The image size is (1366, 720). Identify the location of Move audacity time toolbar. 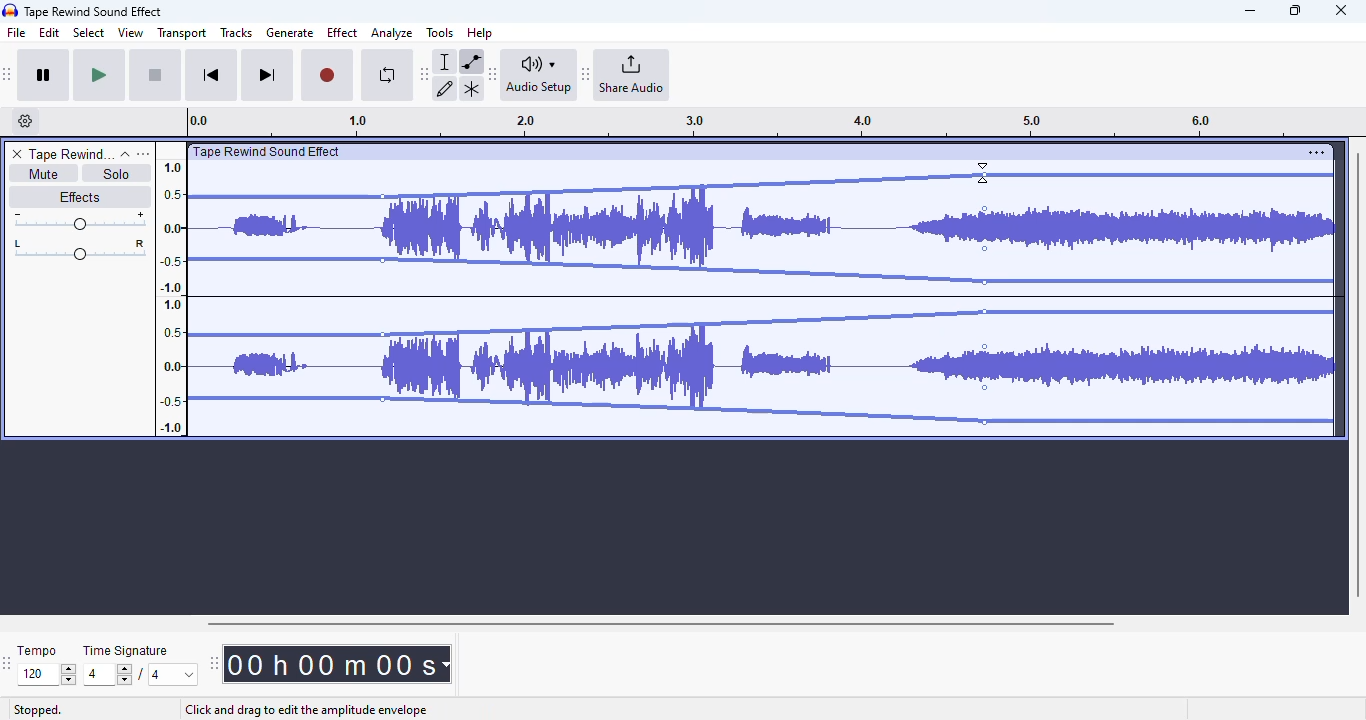
(213, 663).